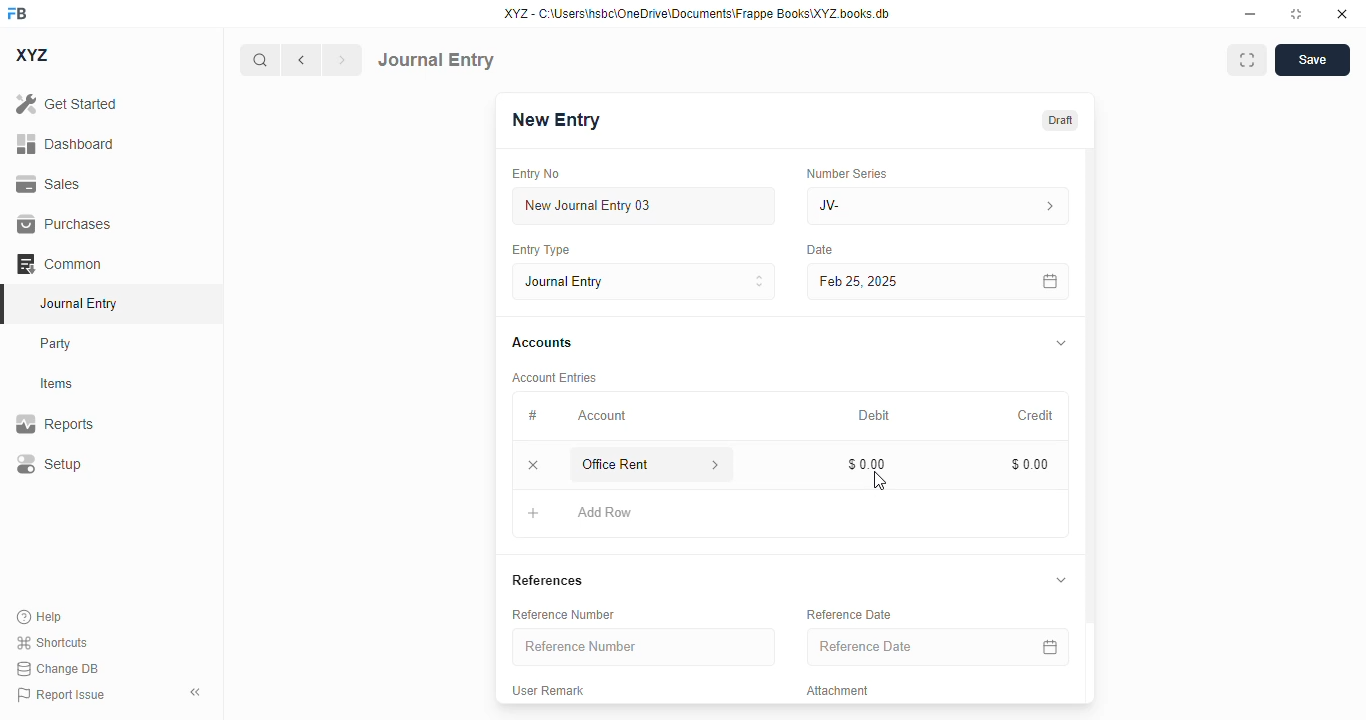 This screenshot has height=720, width=1366. What do you see at coordinates (1051, 282) in the screenshot?
I see `calendar icon` at bounding box center [1051, 282].